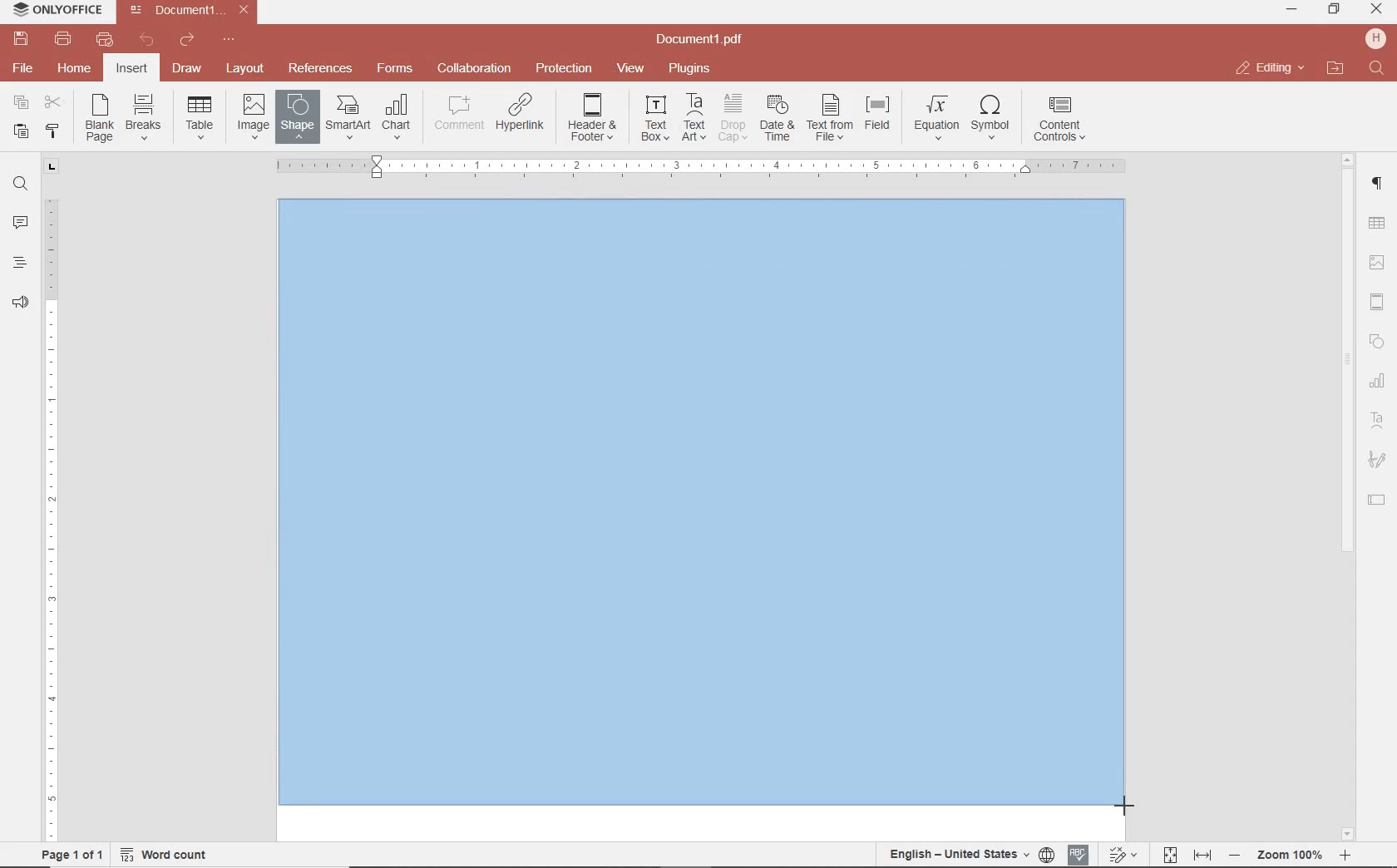 This screenshot has height=868, width=1397. What do you see at coordinates (1290, 856) in the screenshot?
I see `zoom in and out` at bounding box center [1290, 856].